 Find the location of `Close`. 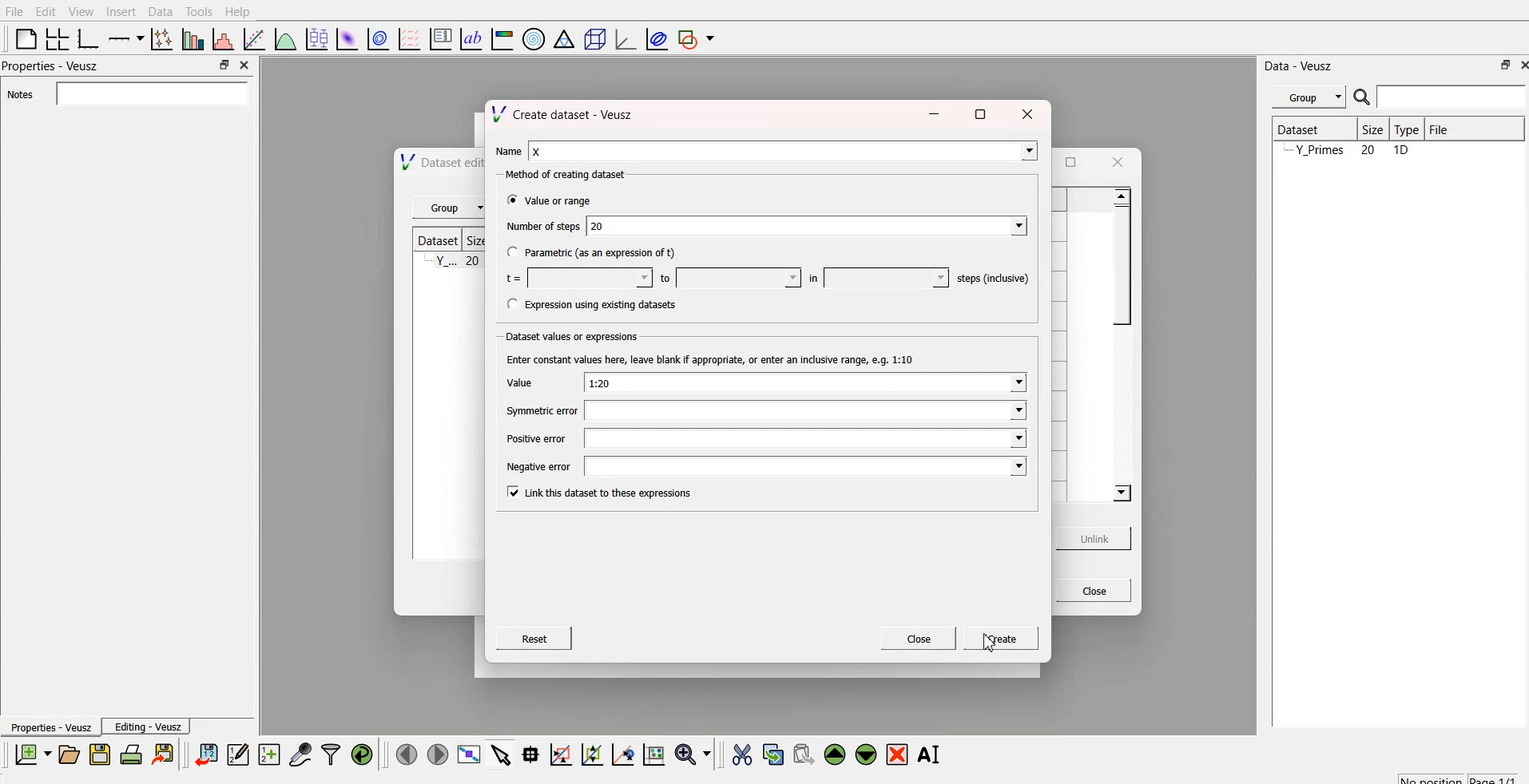

Close is located at coordinates (916, 640).